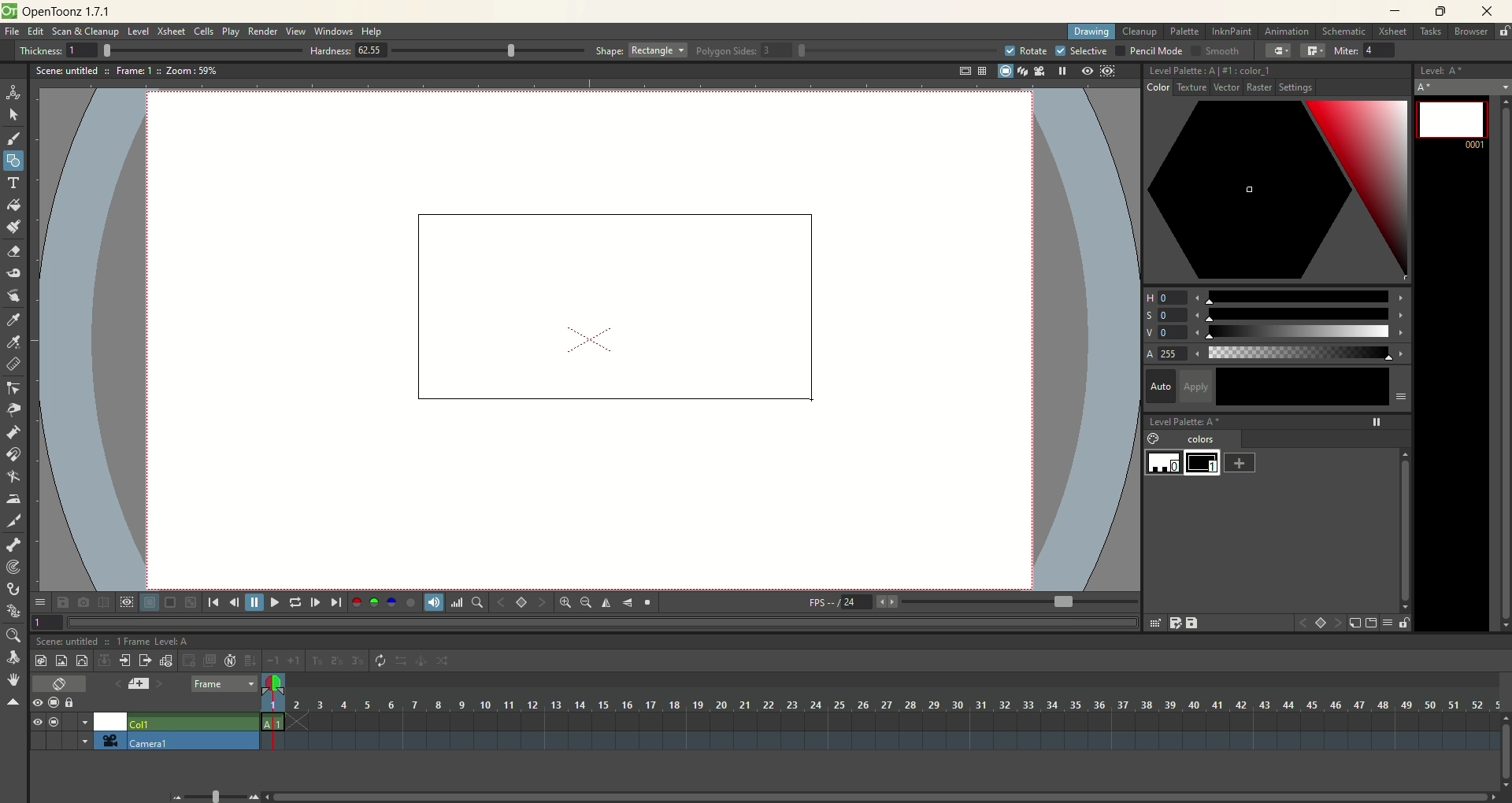  Describe the element at coordinates (1441, 13) in the screenshot. I see `maximize` at that location.